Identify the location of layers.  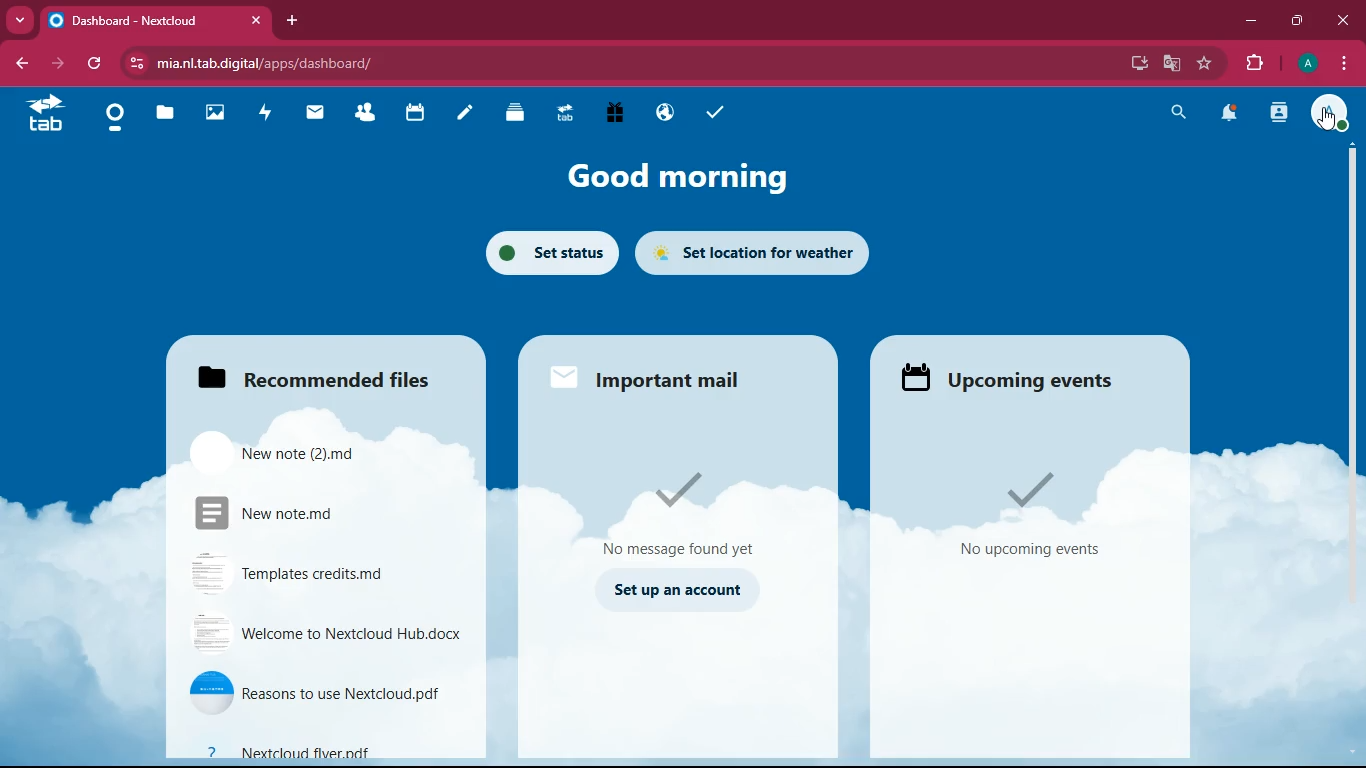
(515, 115).